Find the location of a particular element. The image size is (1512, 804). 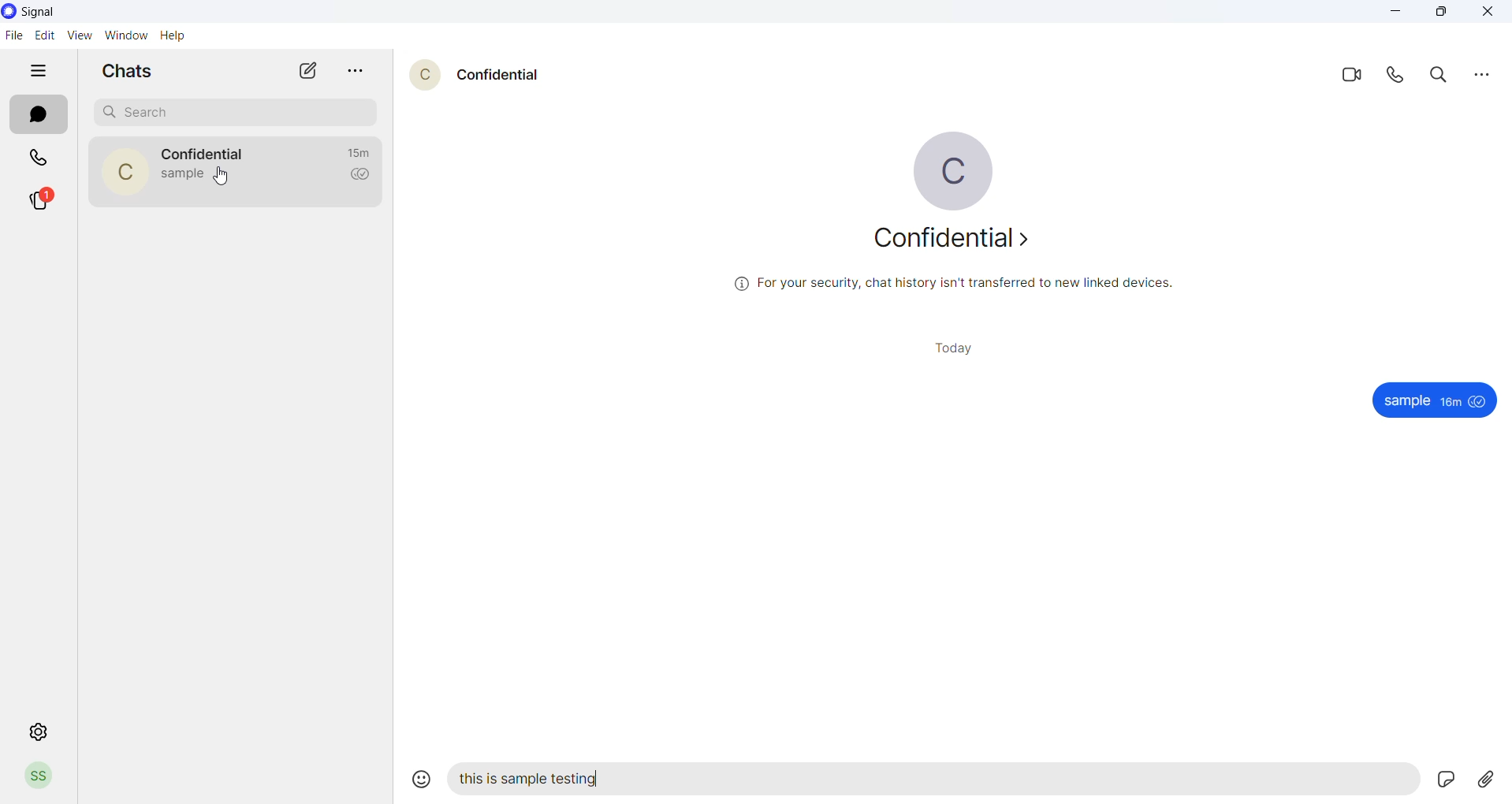

confidential is located at coordinates (954, 240).